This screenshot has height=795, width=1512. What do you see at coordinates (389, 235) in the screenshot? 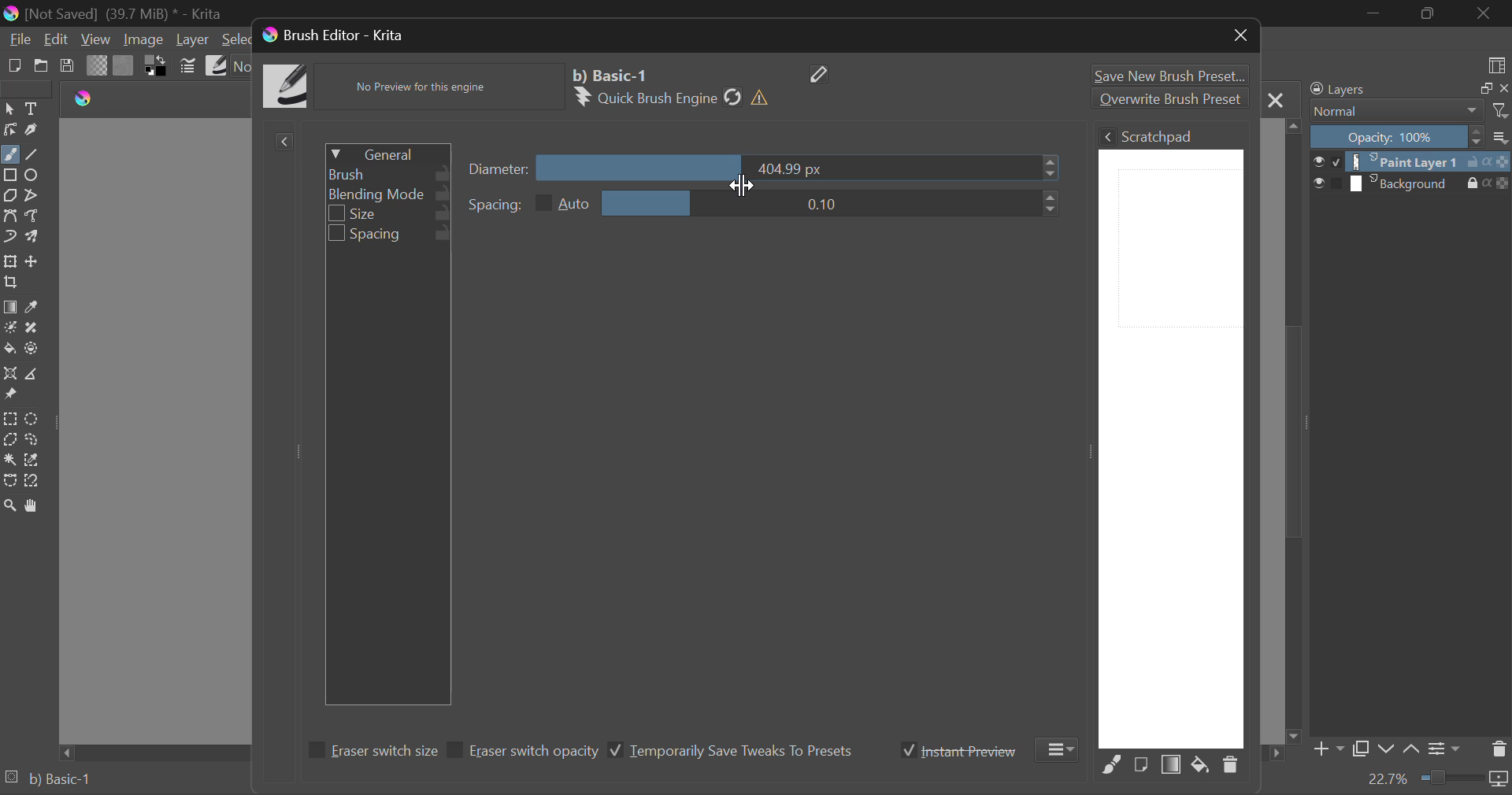
I see `Spacing` at bounding box center [389, 235].